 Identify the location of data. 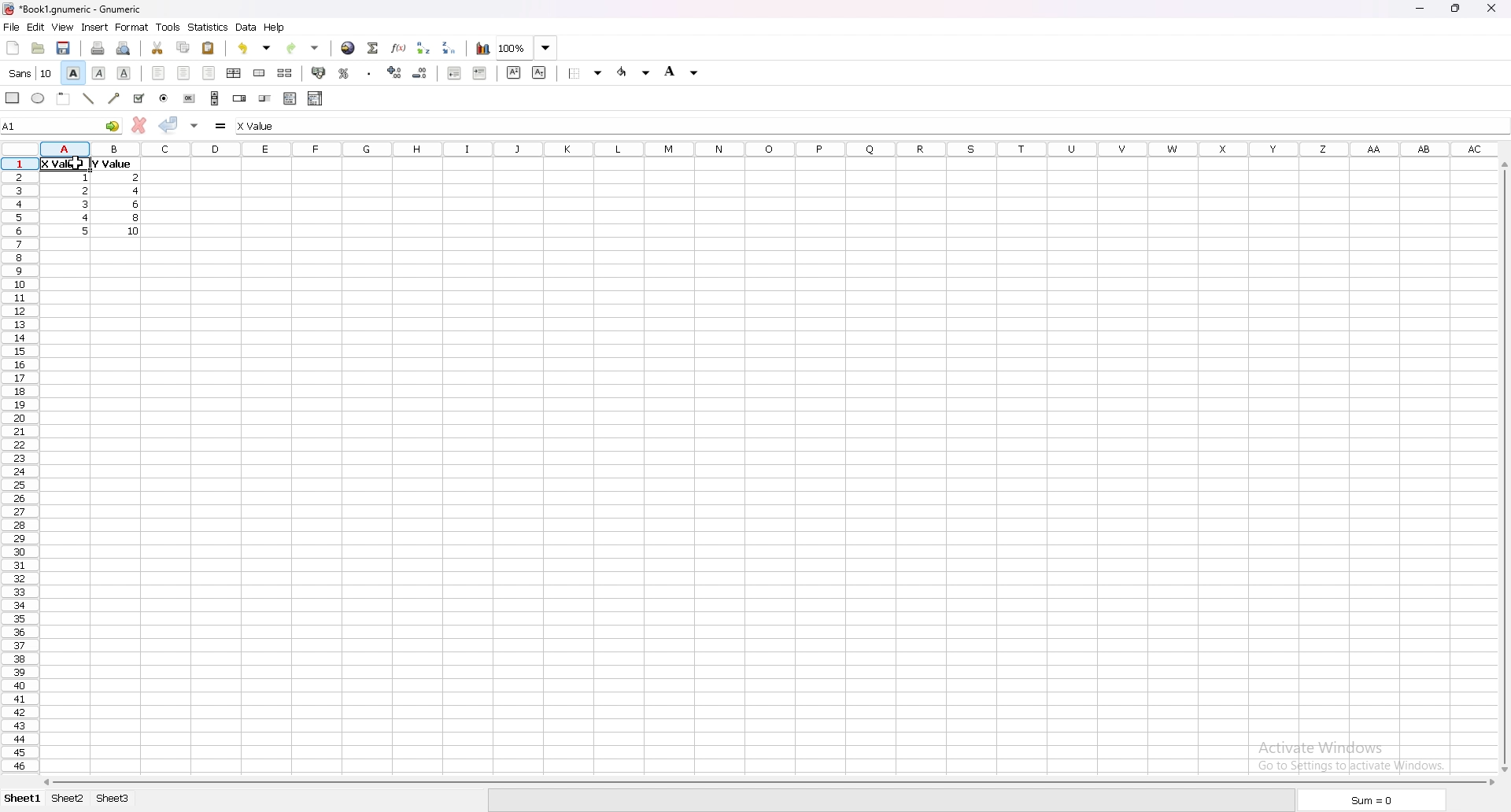
(246, 27).